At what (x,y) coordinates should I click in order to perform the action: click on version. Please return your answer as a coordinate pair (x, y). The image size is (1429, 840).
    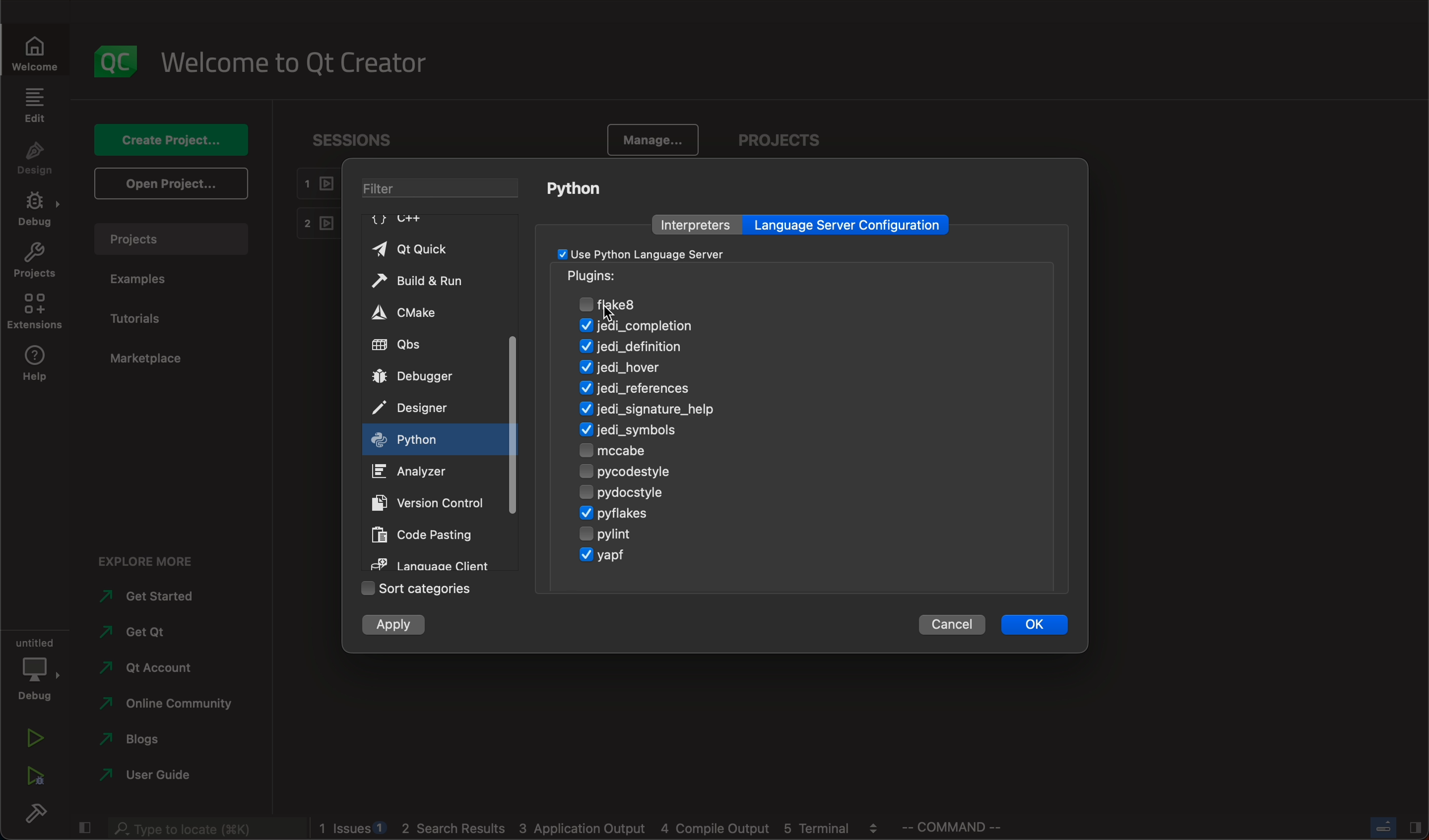
    Looking at the image, I should click on (431, 502).